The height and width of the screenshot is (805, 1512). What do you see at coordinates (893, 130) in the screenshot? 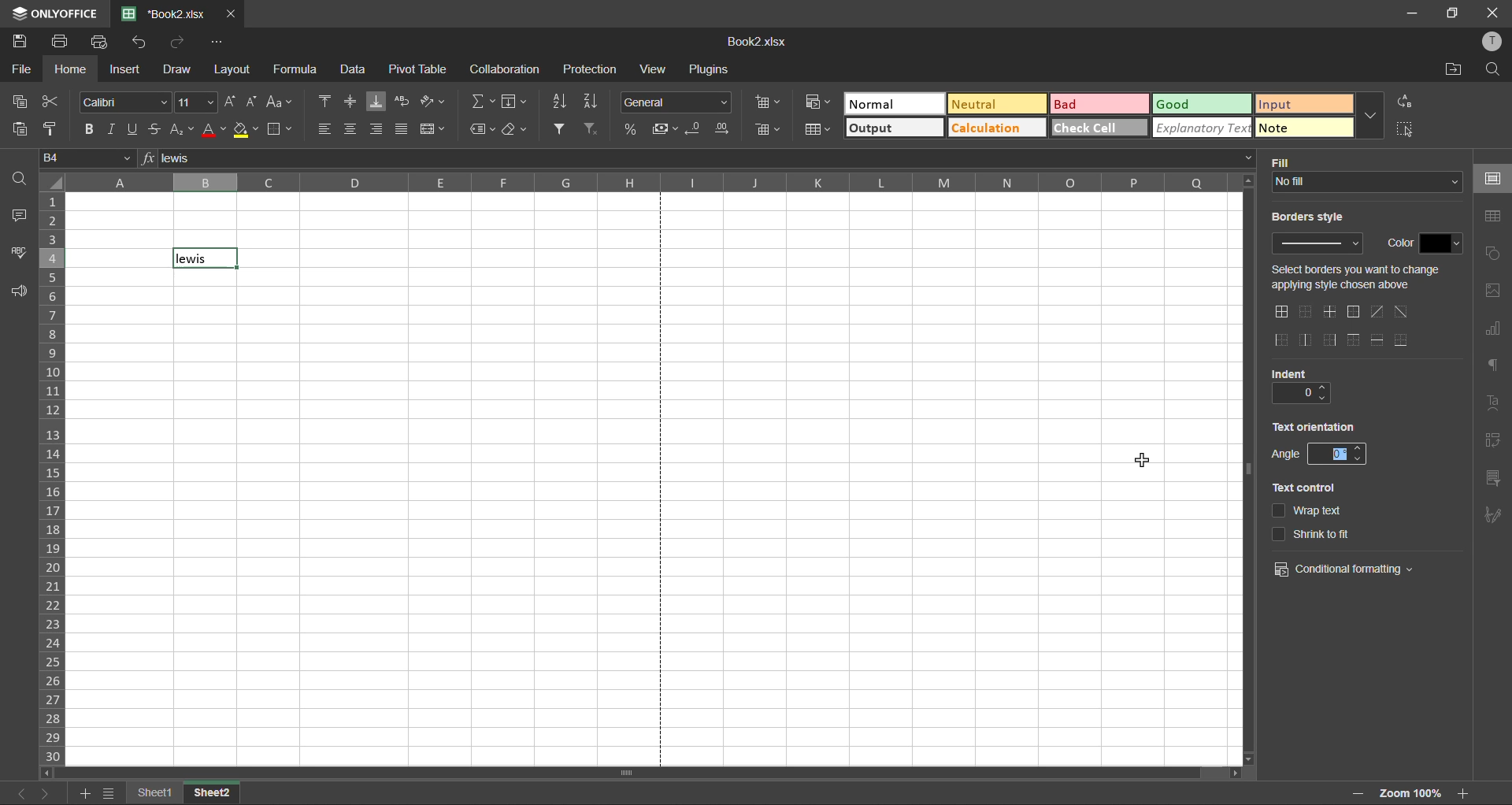
I see `output` at bounding box center [893, 130].